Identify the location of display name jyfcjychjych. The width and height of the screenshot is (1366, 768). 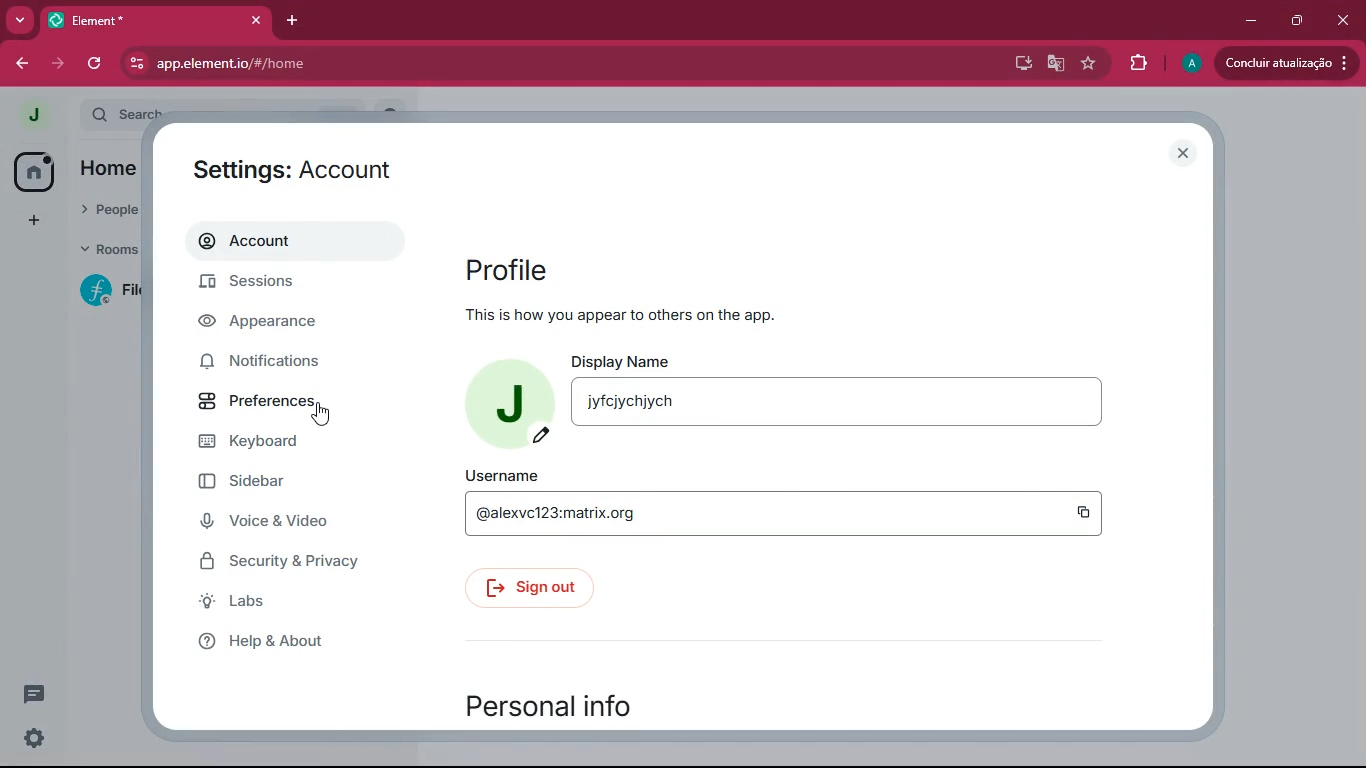
(842, 392).